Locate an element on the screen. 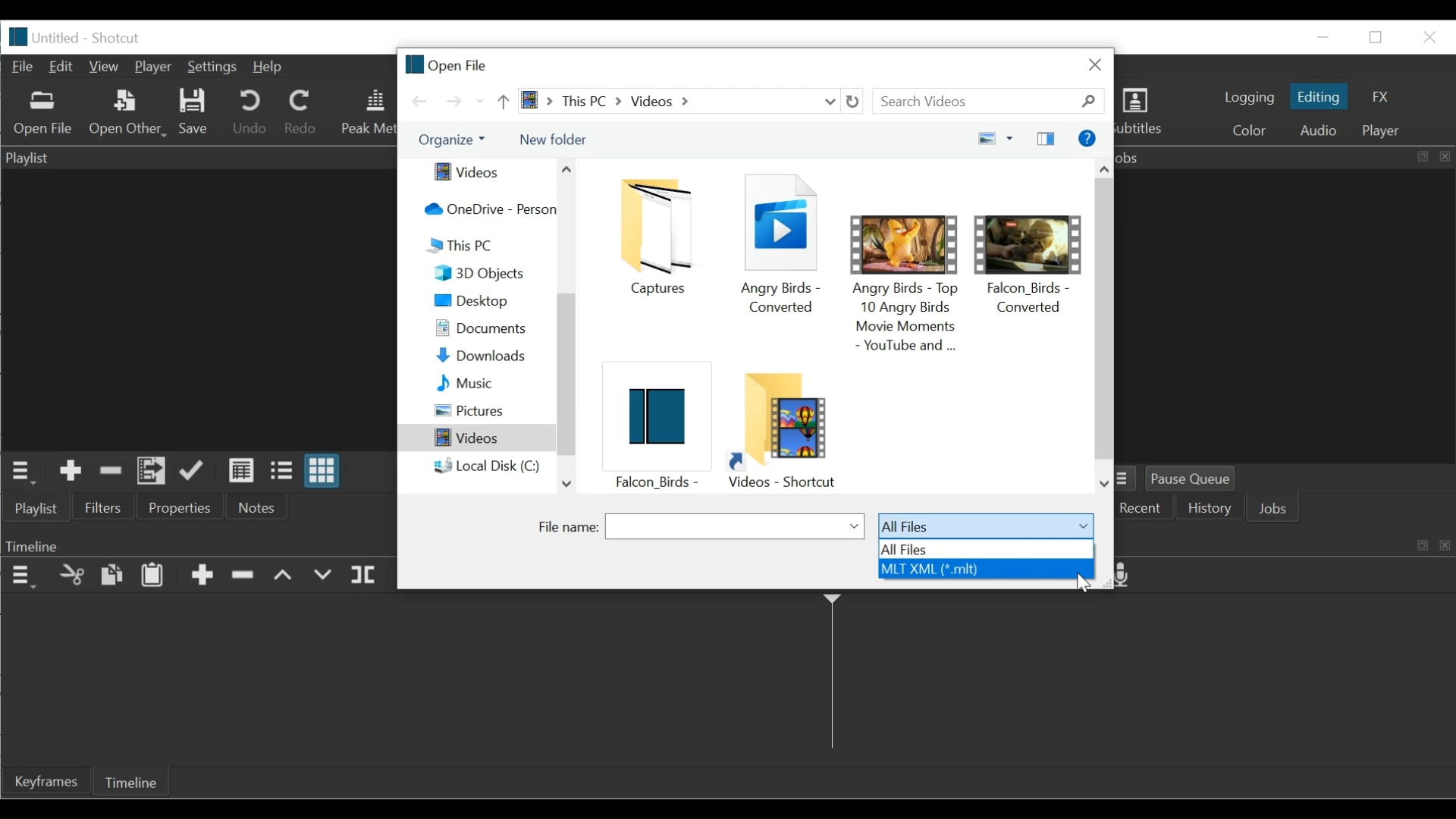 Image resolution: width=1456 pixels, height=819 pixels. Subtitles is located at coordinates (1147, 114).